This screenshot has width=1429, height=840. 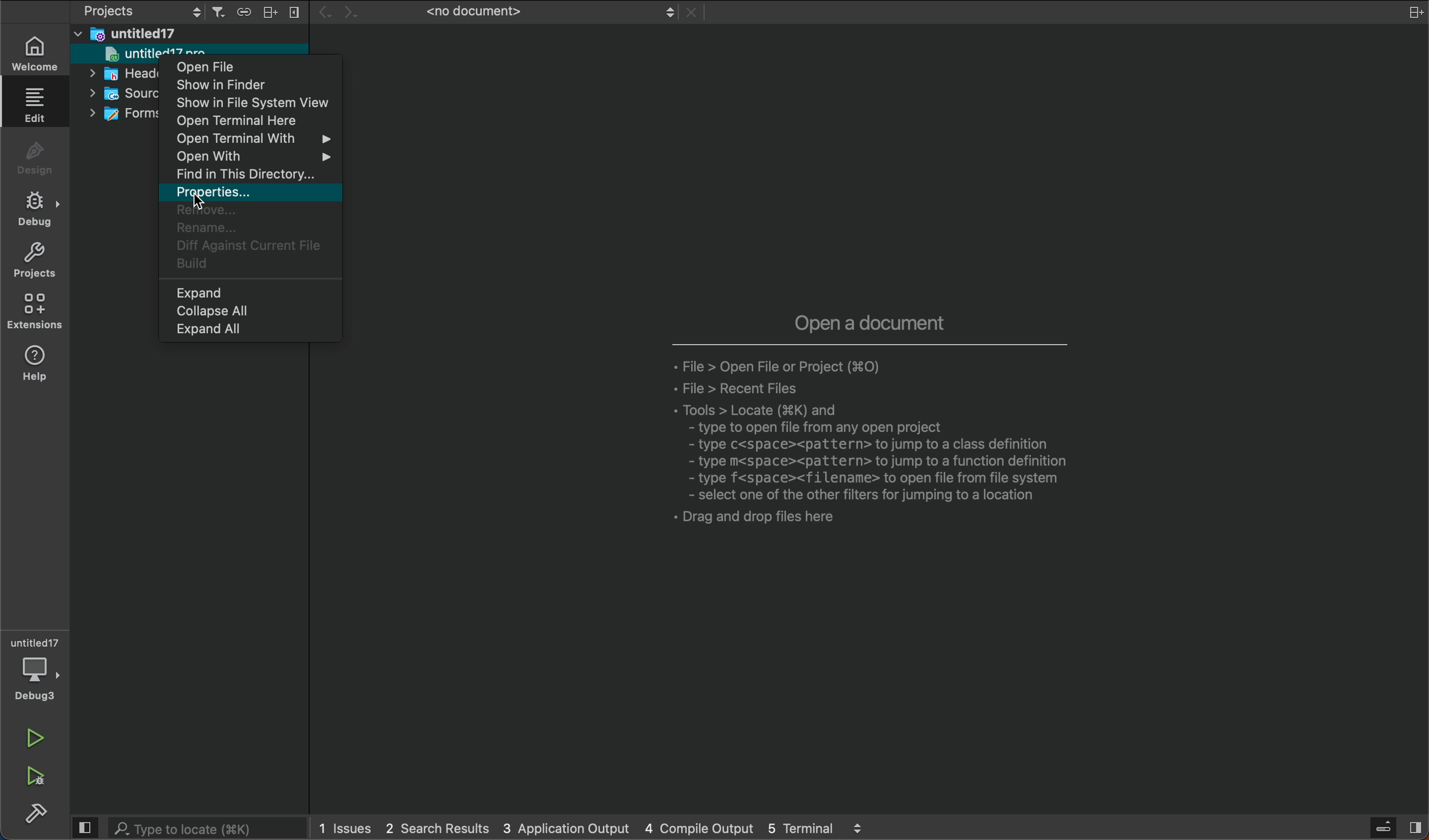 What do you see at coordinates (245, 312) in the screenshot?
I see `collapse all` at bounding box center [245, 312].